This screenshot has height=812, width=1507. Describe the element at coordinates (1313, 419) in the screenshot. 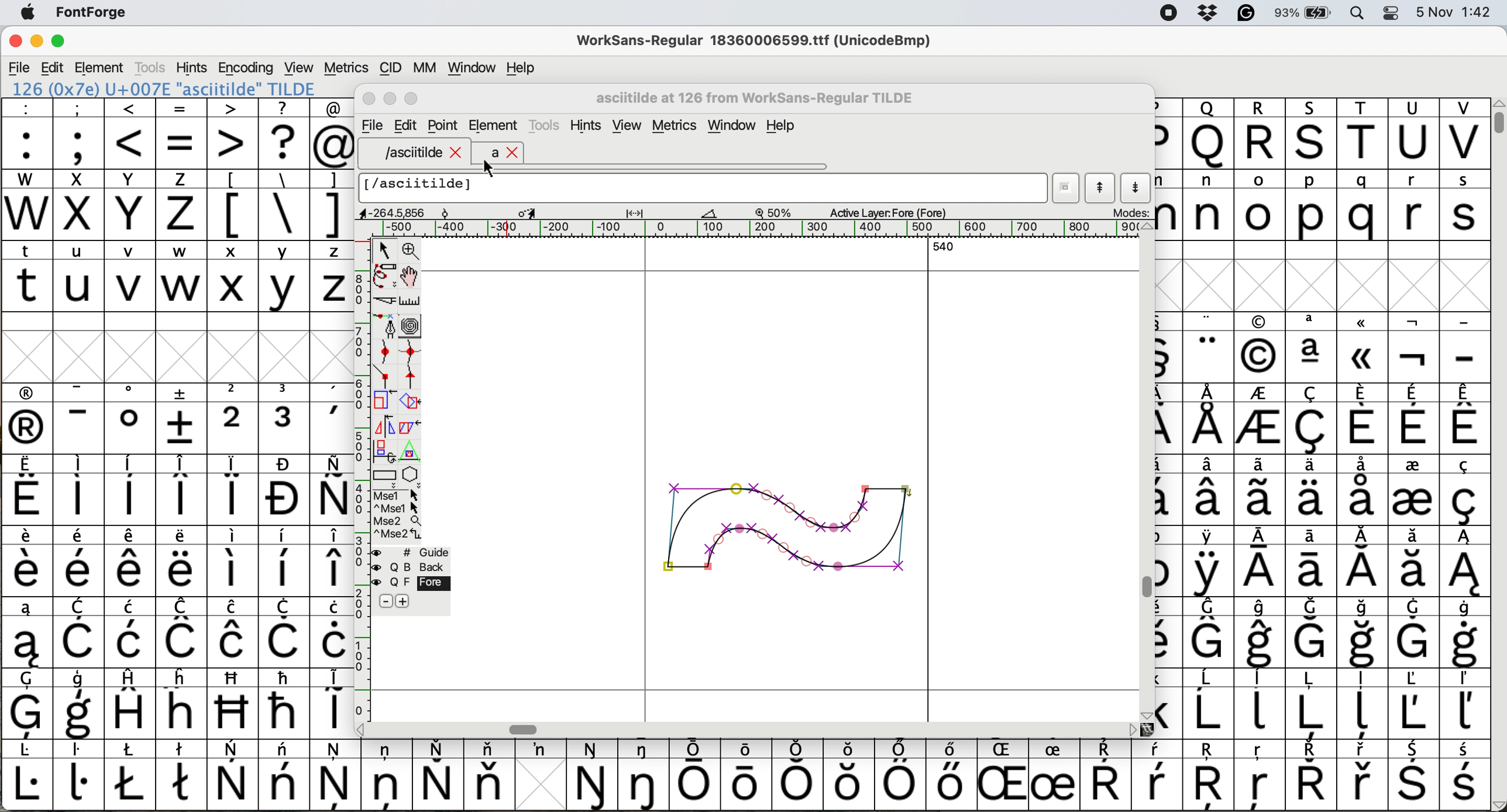

I see `symbol` at that location.